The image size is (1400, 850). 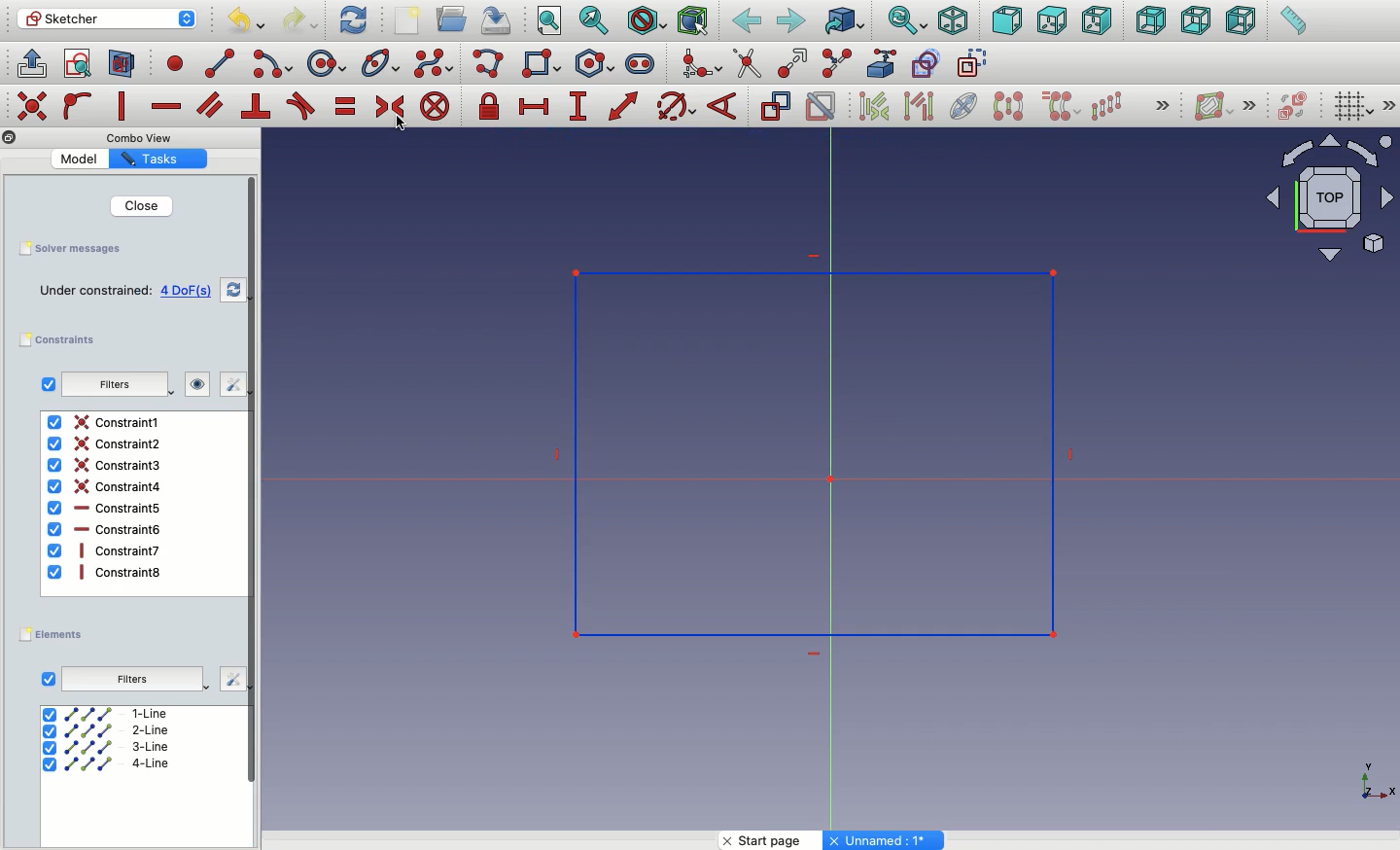 I want to click on arc, so click(x=274, y=64).